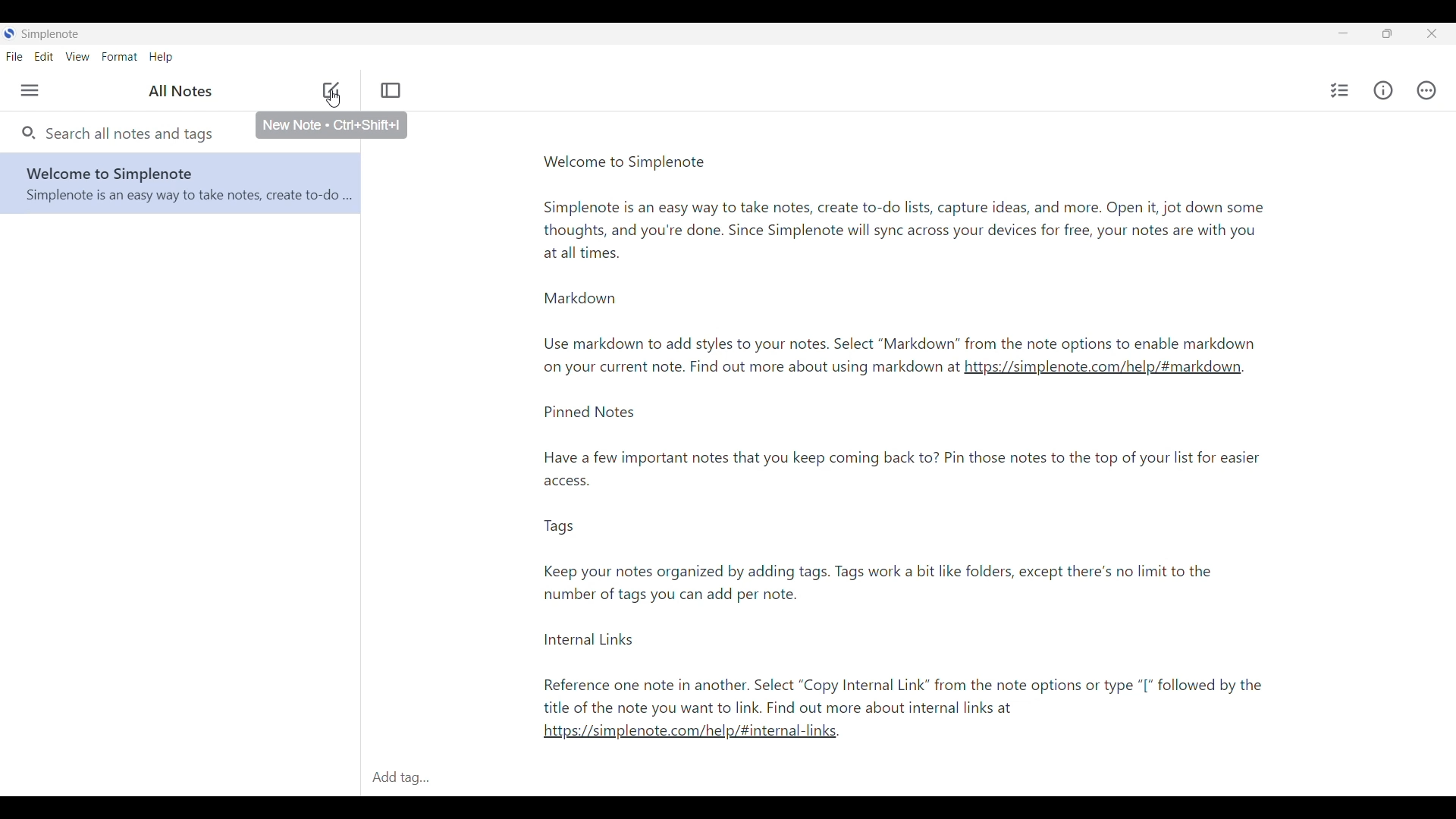 The height and width of the screenshot is (819, 1456). I want to click on Resize, so click(1387, 33).